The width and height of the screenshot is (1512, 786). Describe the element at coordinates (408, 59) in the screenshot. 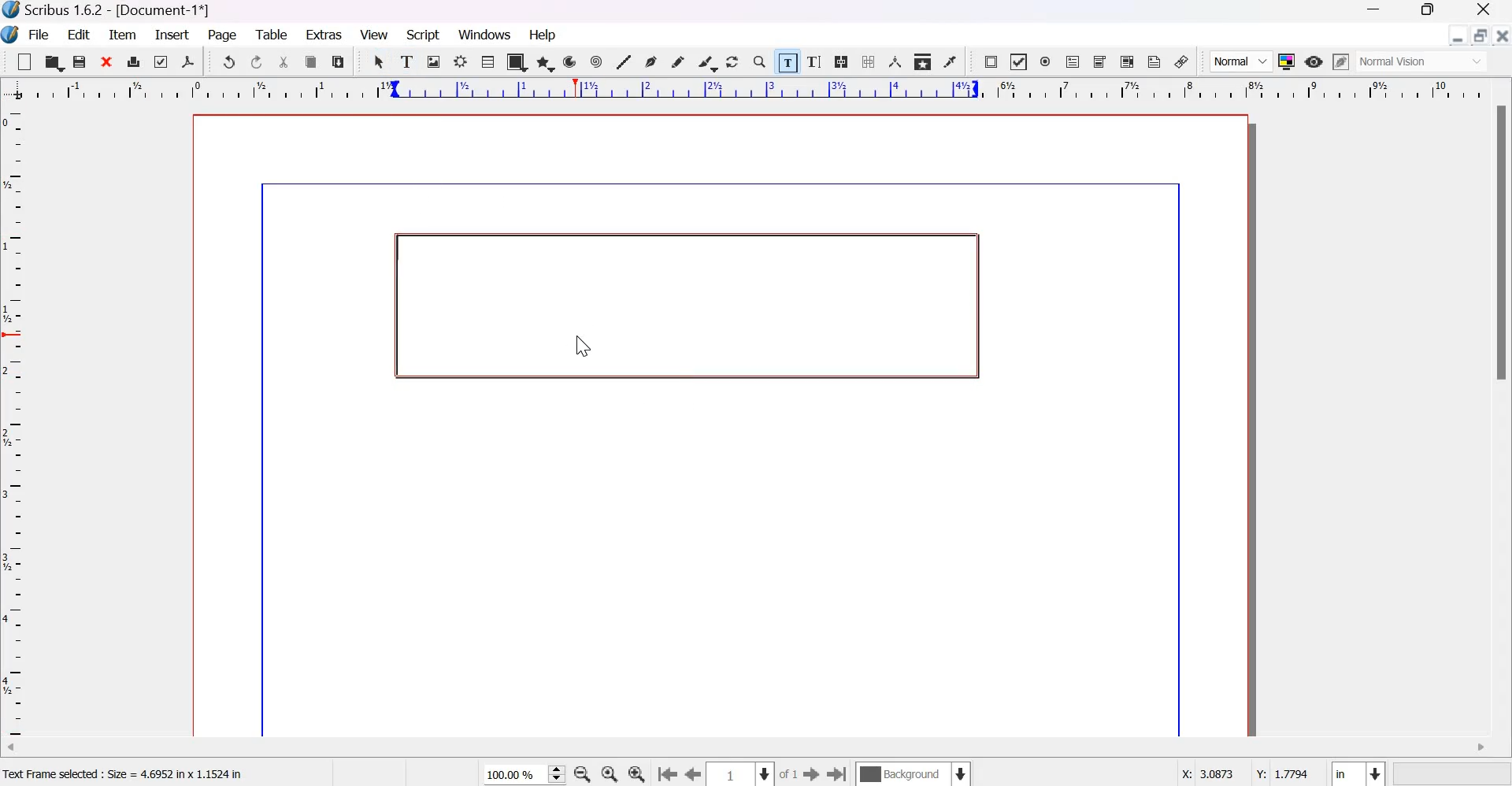

I see `text frame` at that location.